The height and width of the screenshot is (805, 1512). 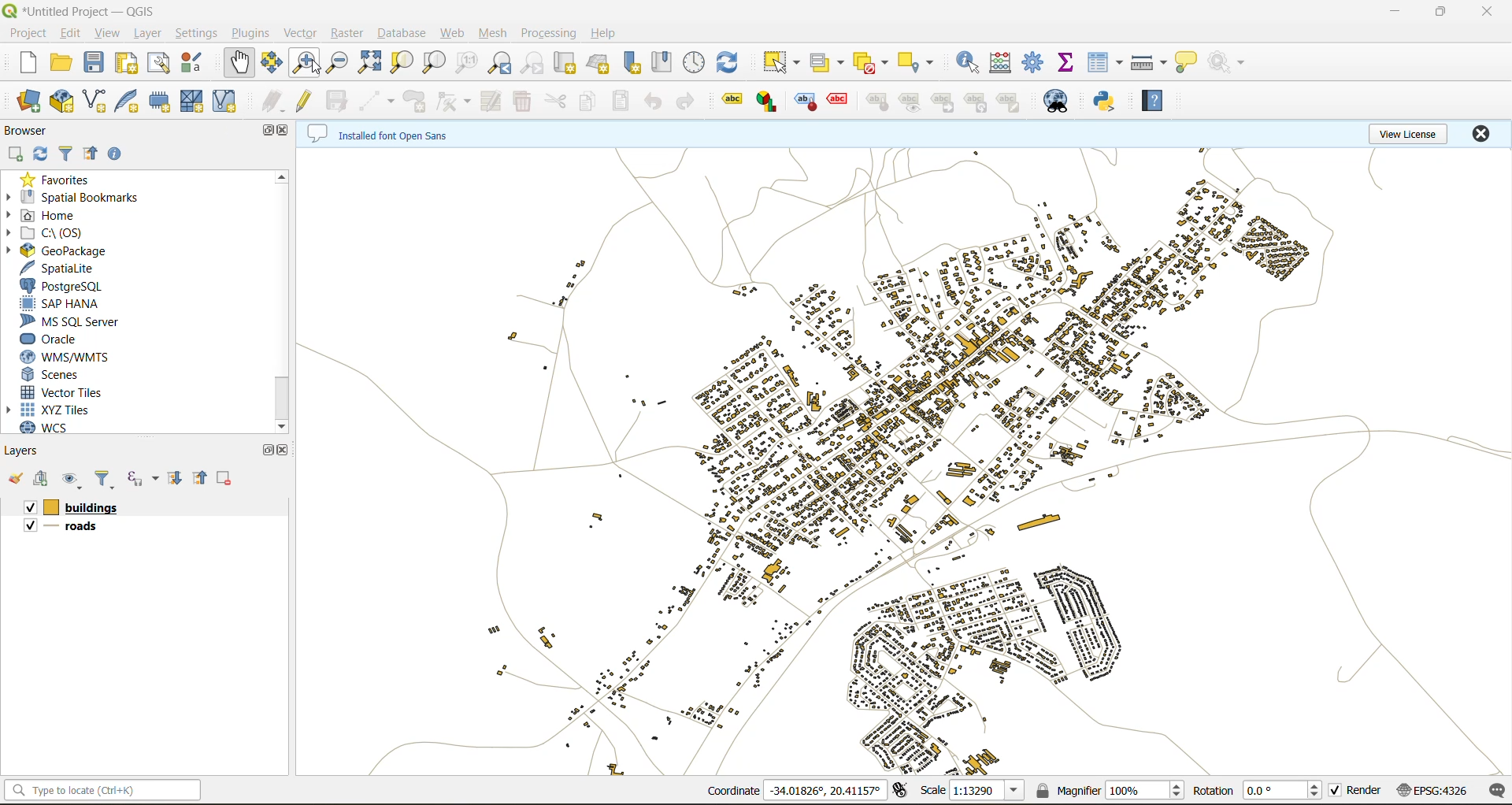 I want to click on no action, so click(x=1232, y=63).